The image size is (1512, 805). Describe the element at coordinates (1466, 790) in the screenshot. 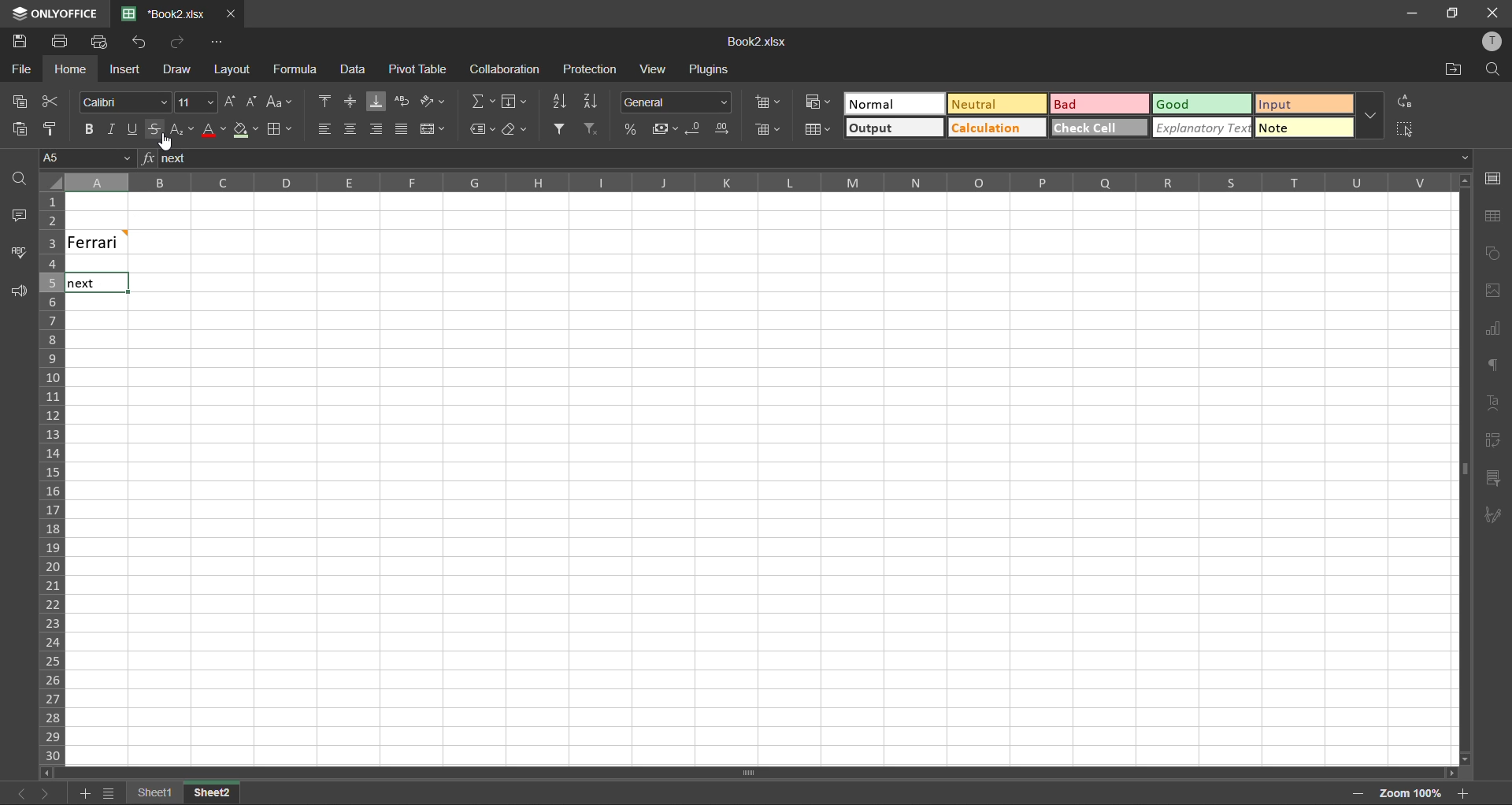

I see `zoom out` at that location.